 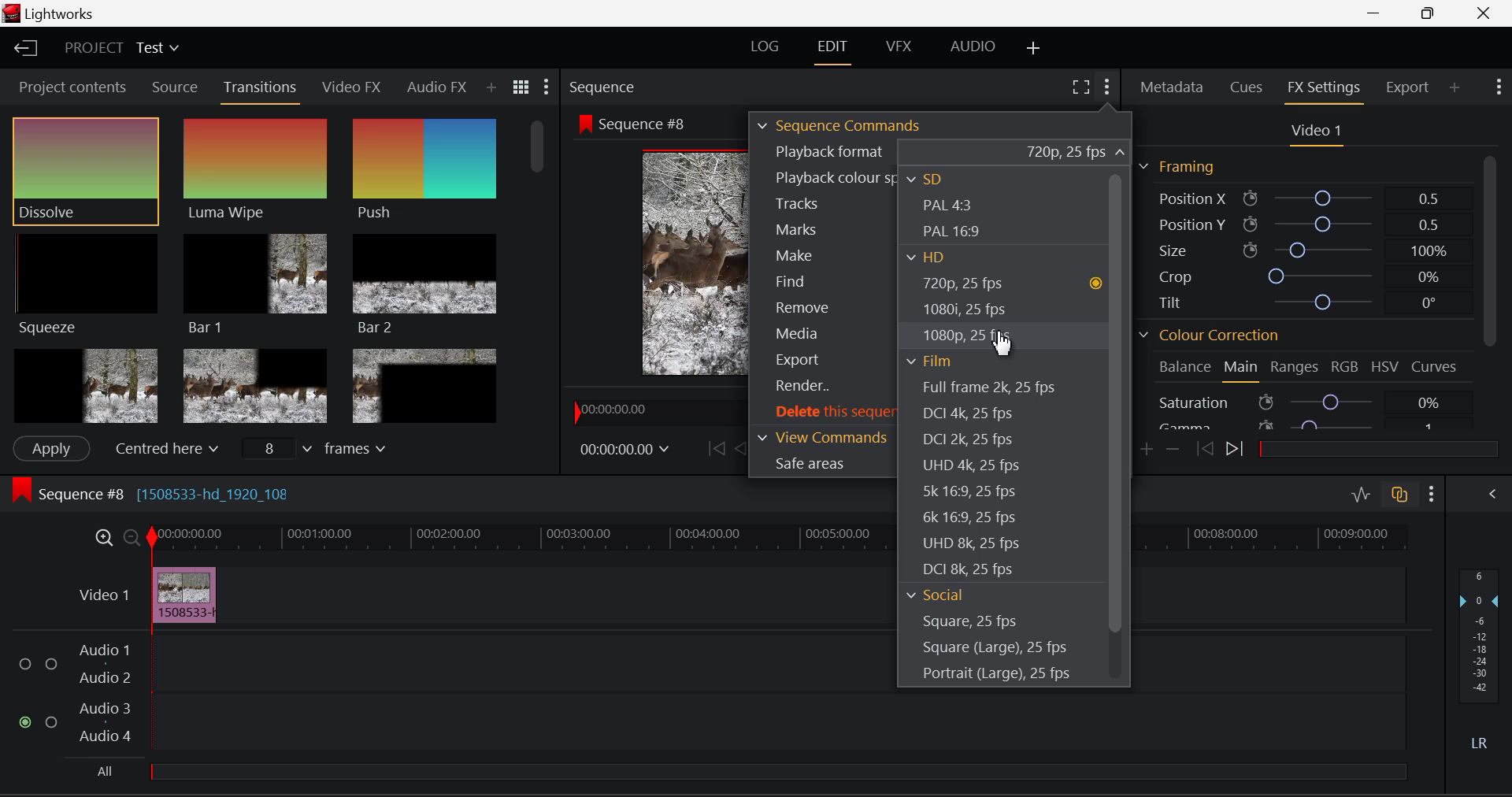 I want to click on 5k 16:9, so click(x=968, y=494).